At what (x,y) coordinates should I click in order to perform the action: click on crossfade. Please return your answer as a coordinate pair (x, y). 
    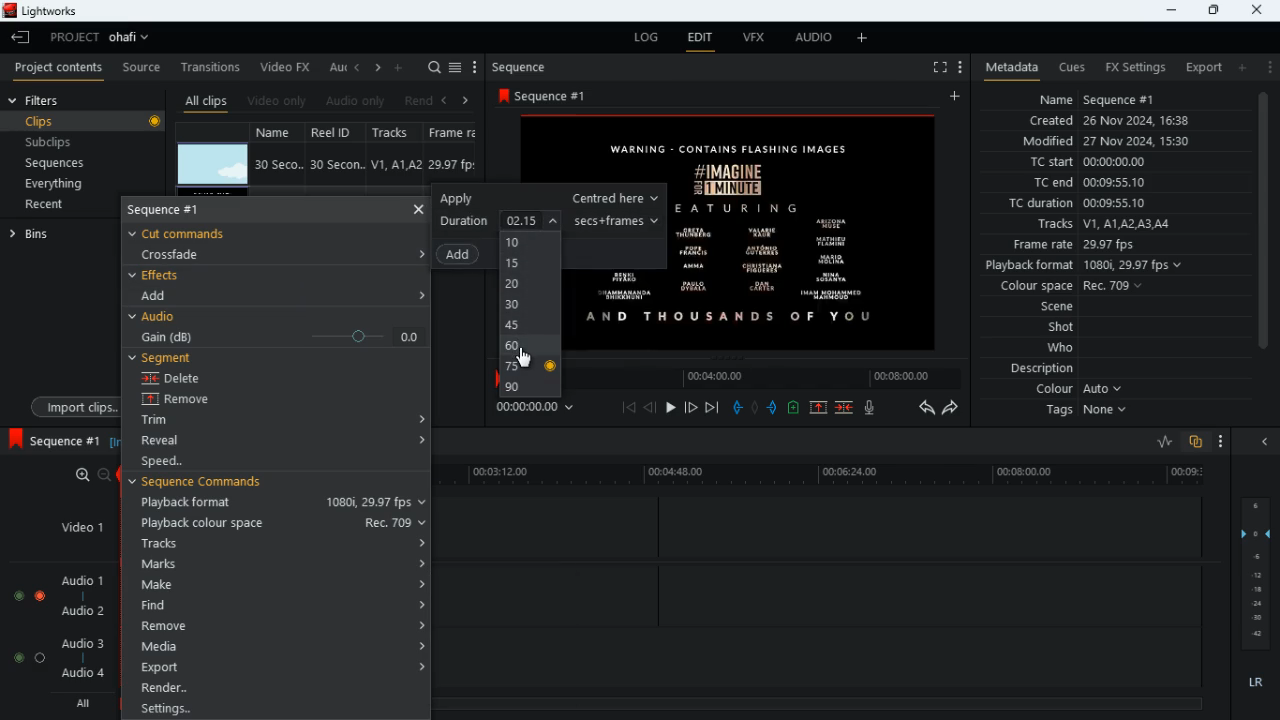
    Looking at the image, I should click on (182, 254).